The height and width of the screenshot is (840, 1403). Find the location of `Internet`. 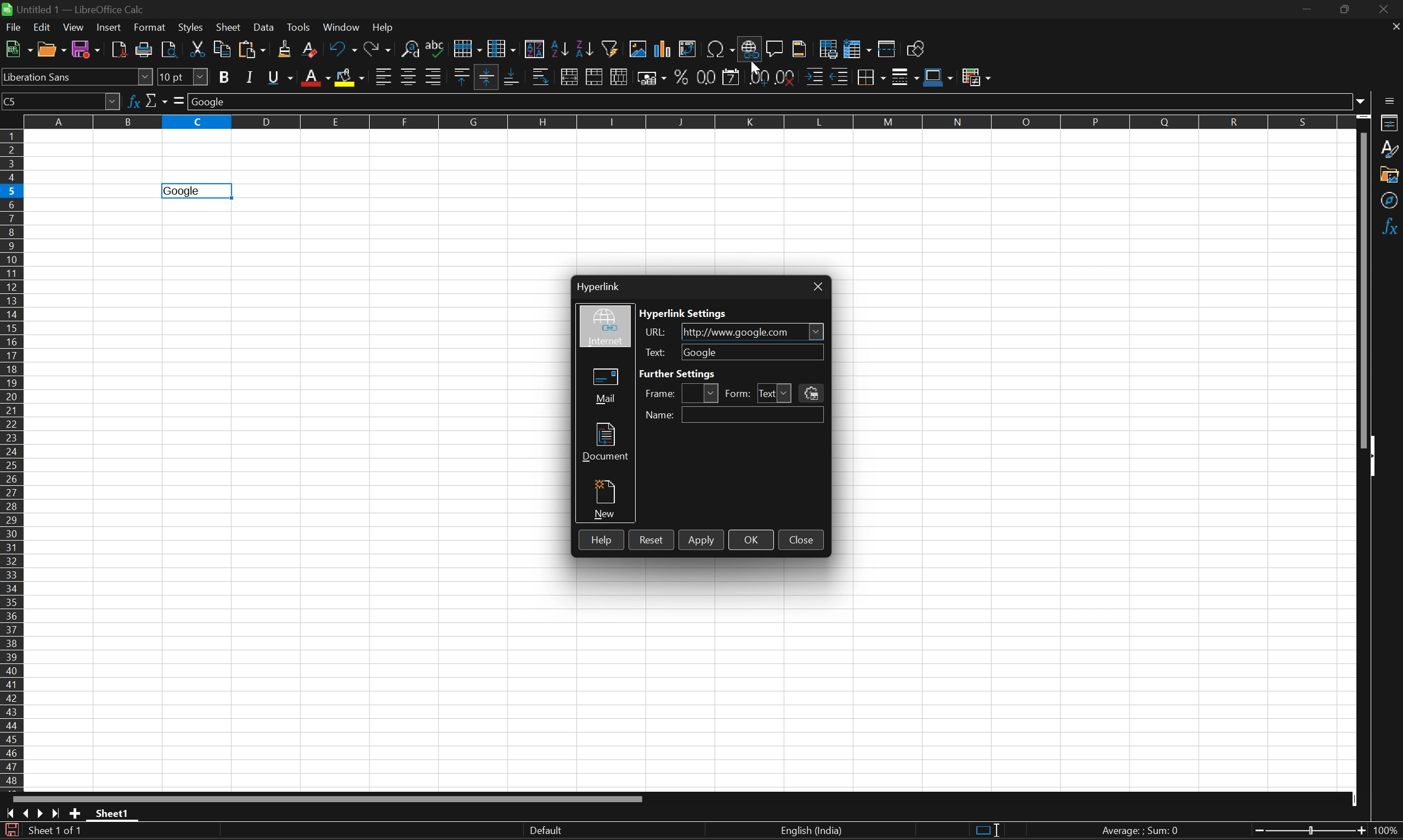

Internet is located at coordinates (604, 329).